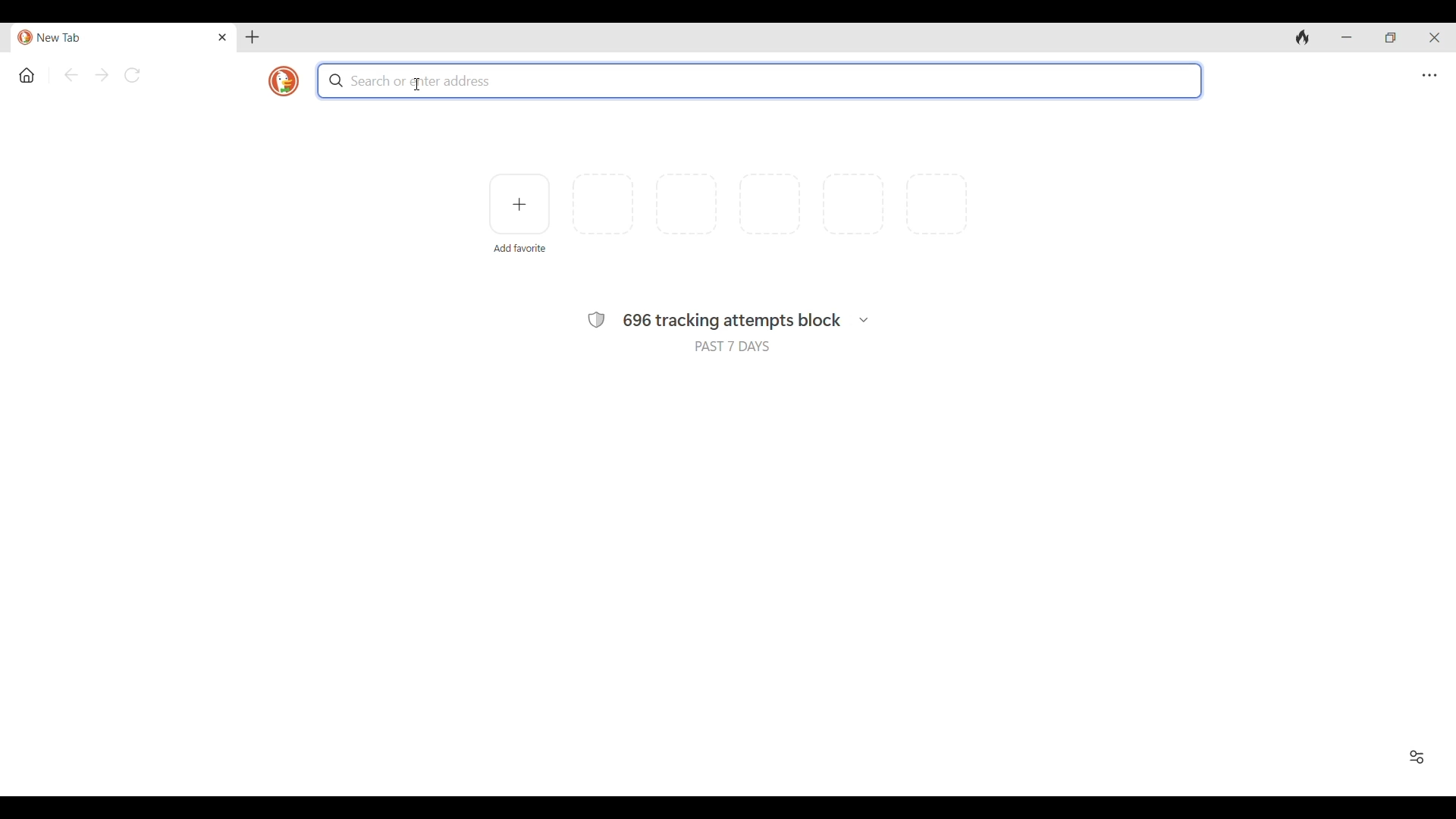 Image resolution: width=1456 pixels, height=819 pixels. I want to click on Home, so click(27, 75).